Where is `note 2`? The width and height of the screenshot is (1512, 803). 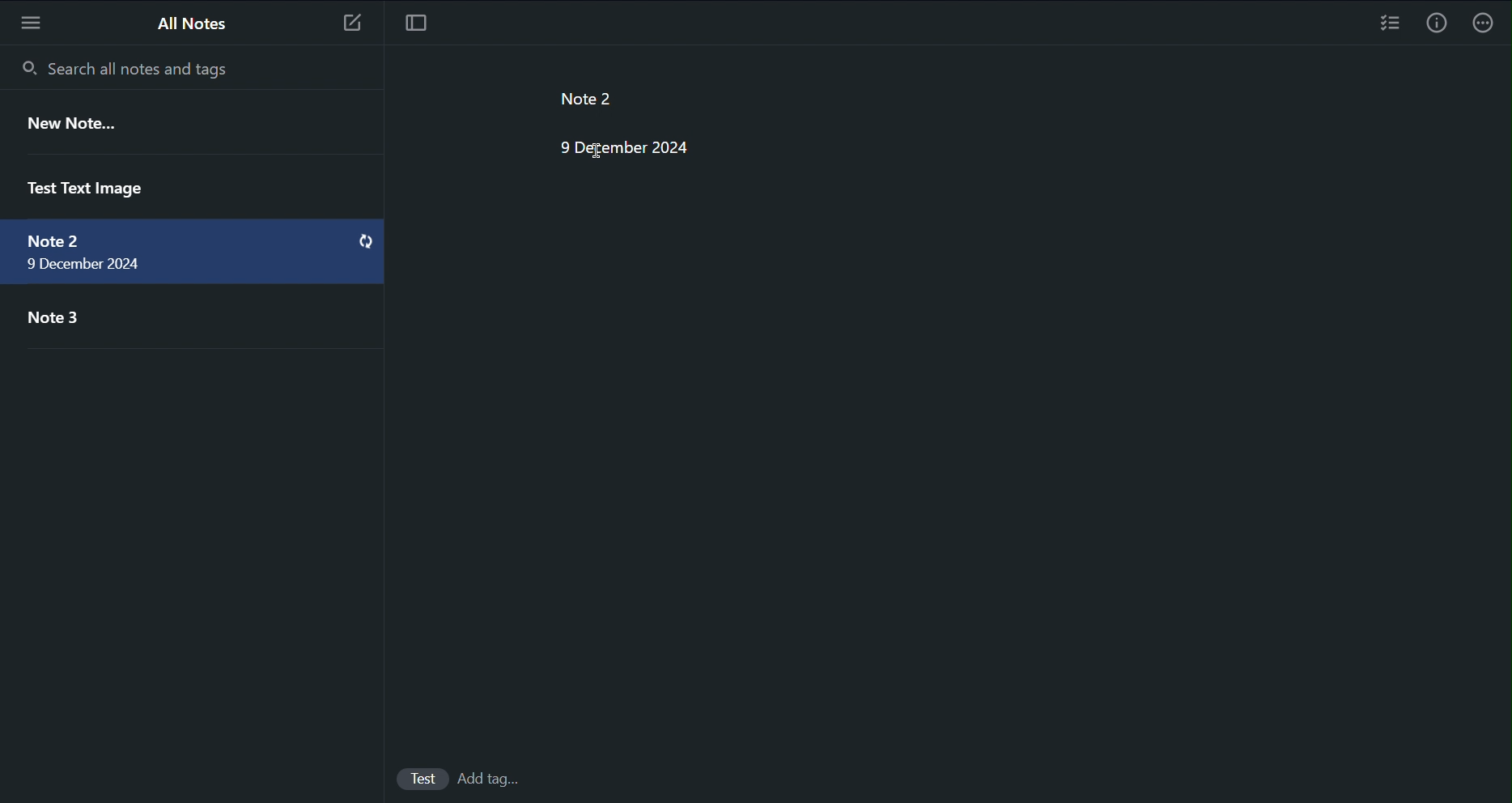 note 2 is located at coordinates (572, 94).